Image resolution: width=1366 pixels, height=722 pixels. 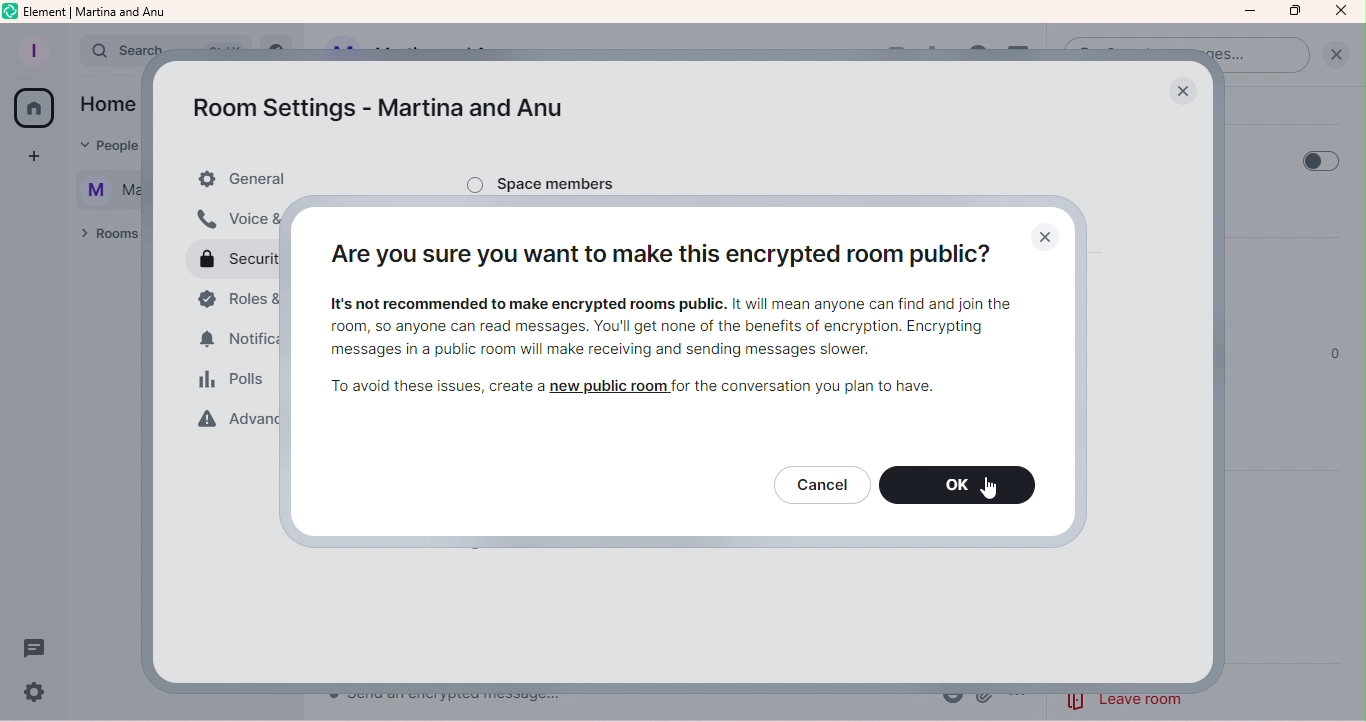 What do you see at coordinates (1296, 11) in the screenshot?
I see `Maximize` at bounding box center [1296, 11].